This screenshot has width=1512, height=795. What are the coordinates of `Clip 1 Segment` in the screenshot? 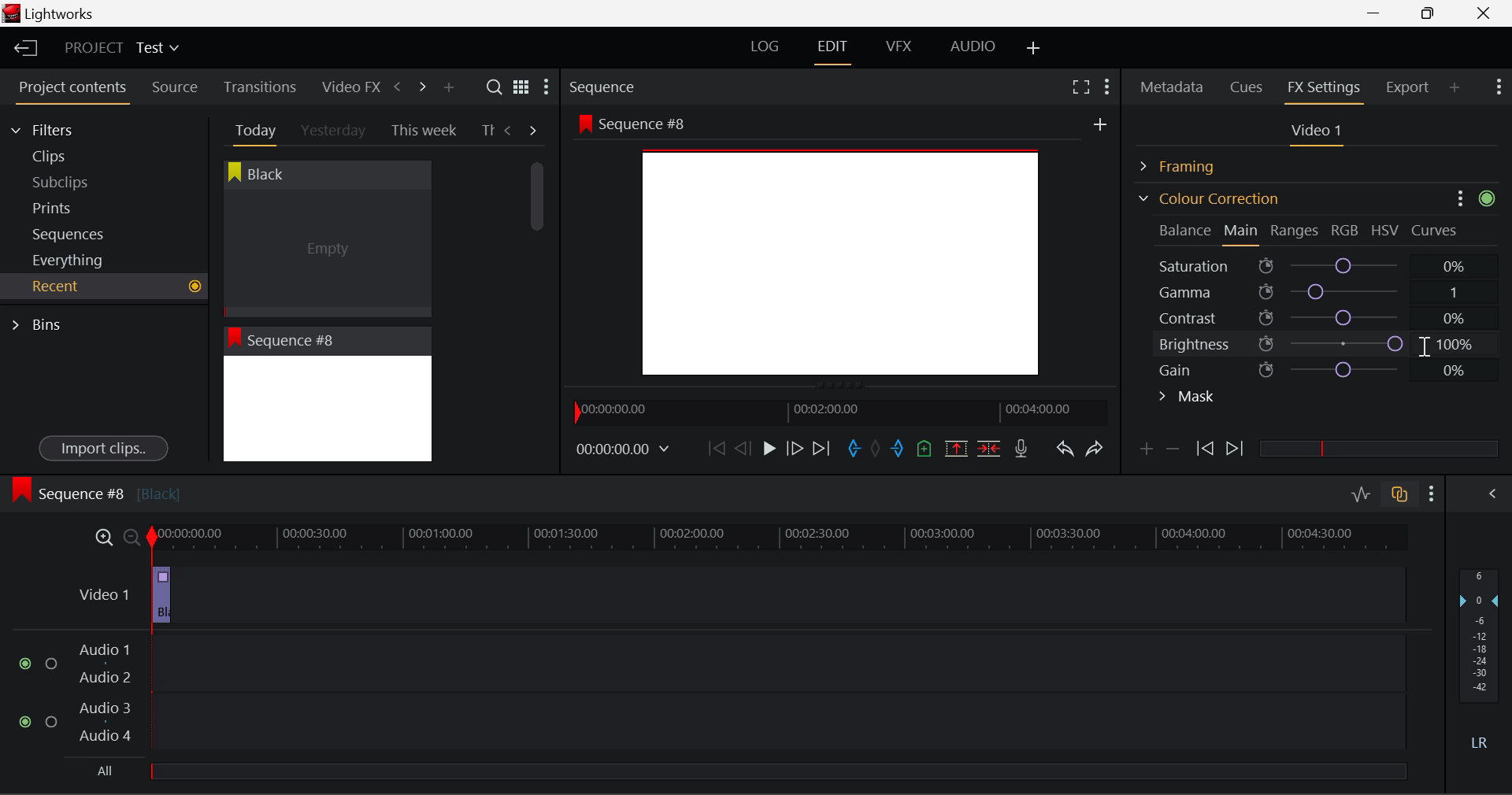 It's located at (160, 596).